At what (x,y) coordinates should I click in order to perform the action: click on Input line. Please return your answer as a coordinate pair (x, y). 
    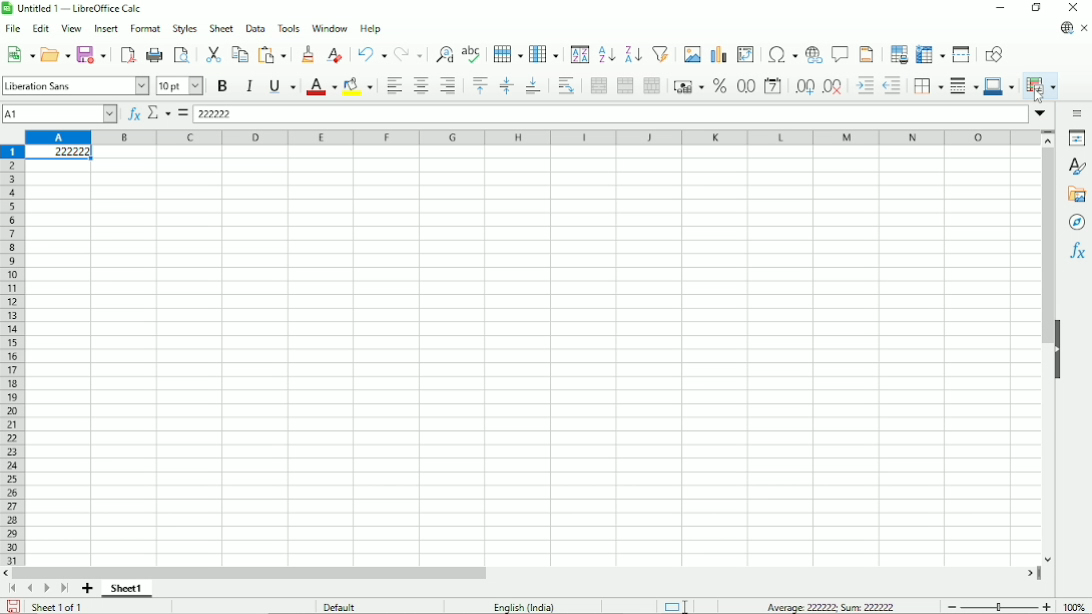
    Looking at the image, I should click on (612, 113).